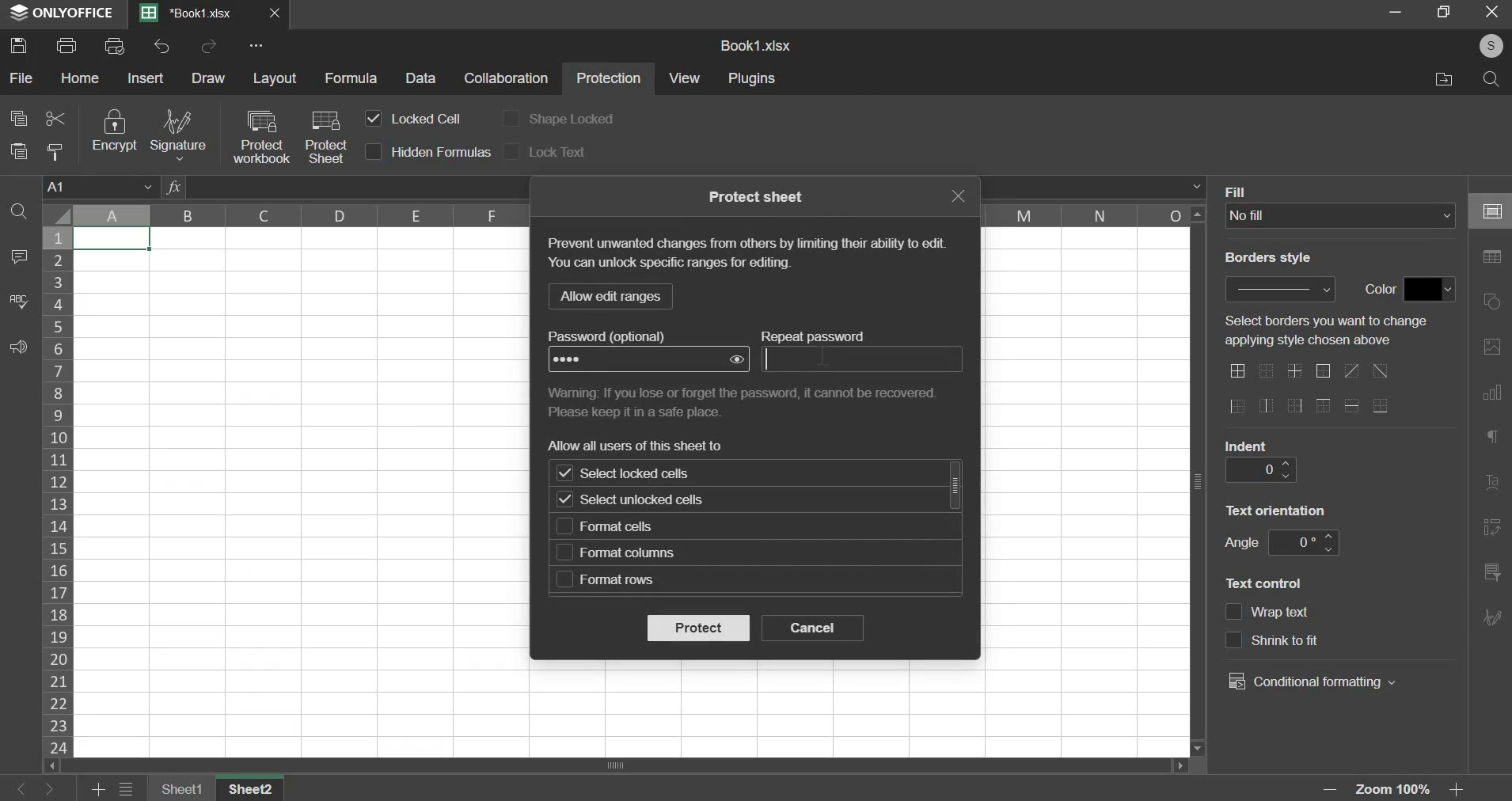 This screenshot has width=1512, height=801. Describe the element at coordinates (1341, 216) in the screenshot. I see `fill type` at that location.